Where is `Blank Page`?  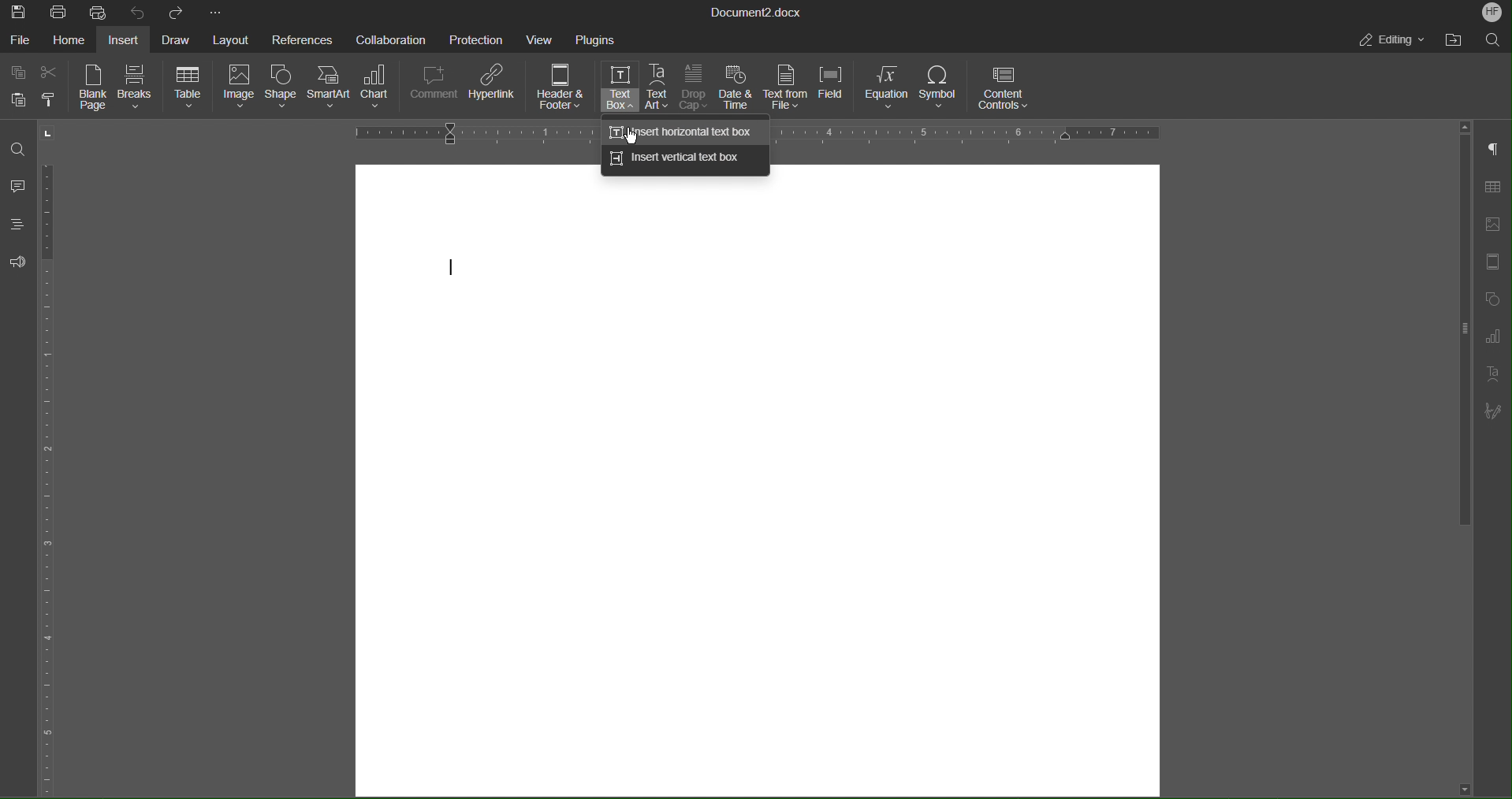 Blank Page is located at coordinates (93, 87).